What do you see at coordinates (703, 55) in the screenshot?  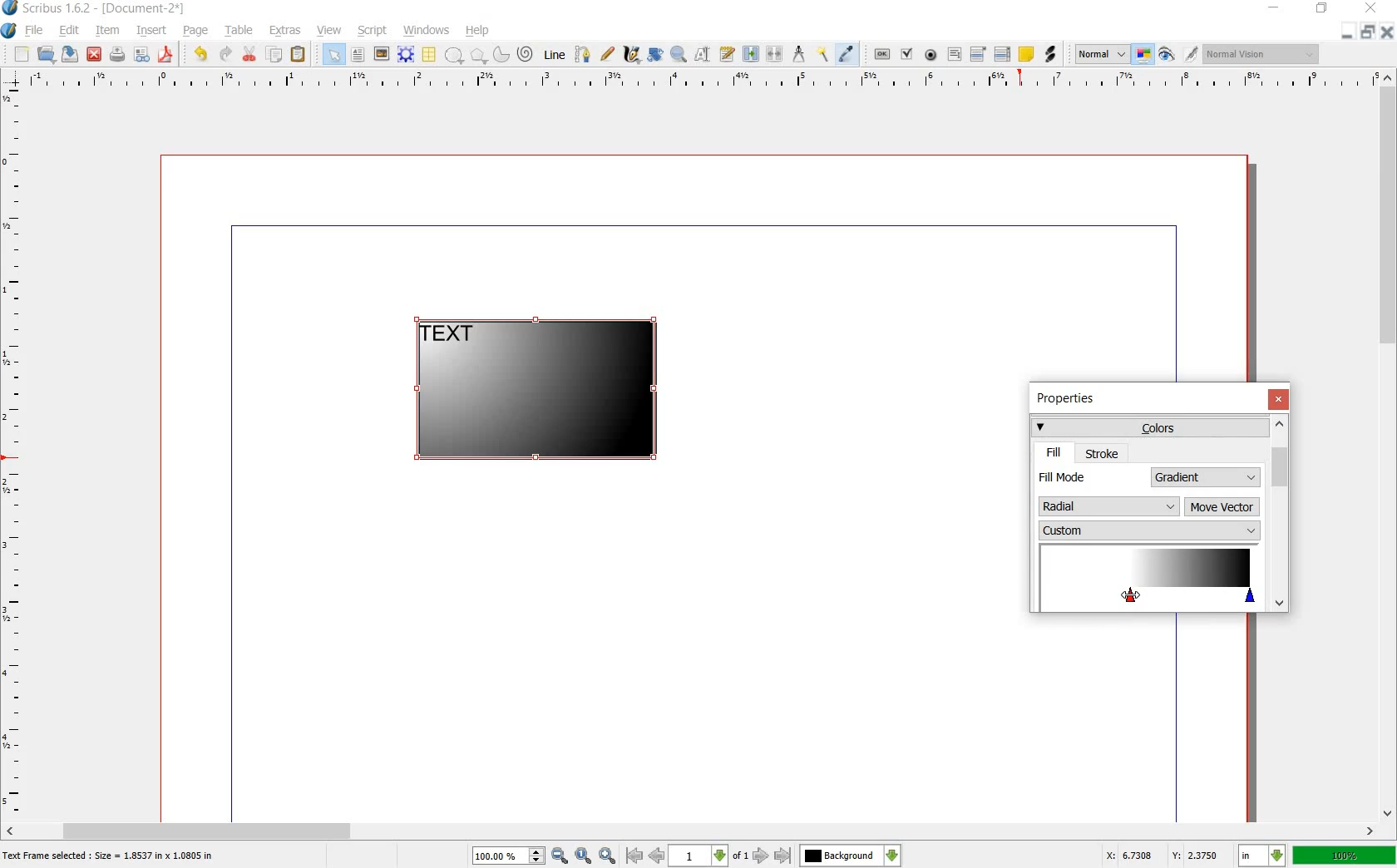 I see `edit contents of frame` at bounding box center [703, 55].